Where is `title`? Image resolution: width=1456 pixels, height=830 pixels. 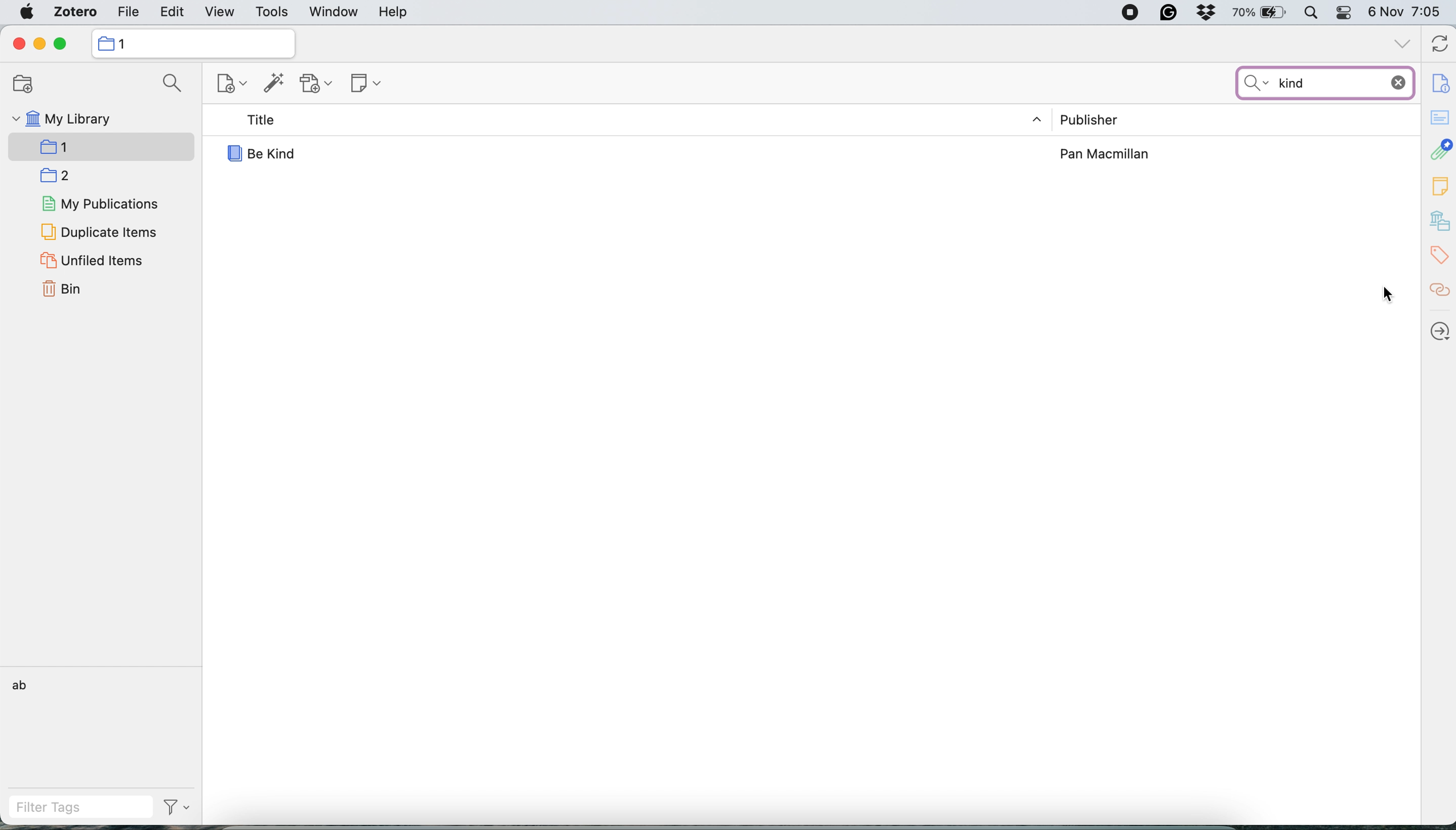 title is located at coordinates (256, 120).